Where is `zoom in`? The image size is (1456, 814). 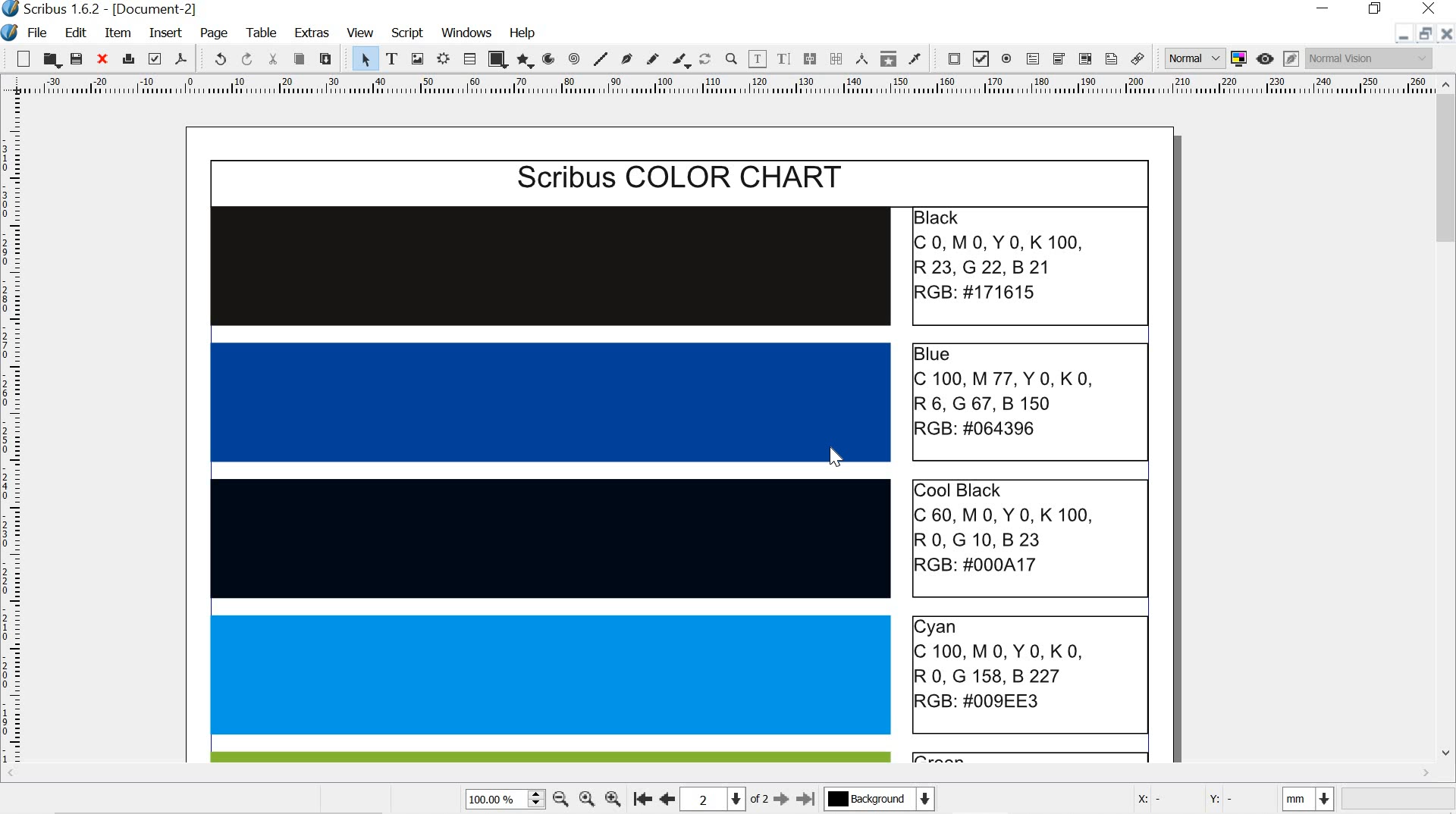
zoom in is located at coordinates (611, 798).